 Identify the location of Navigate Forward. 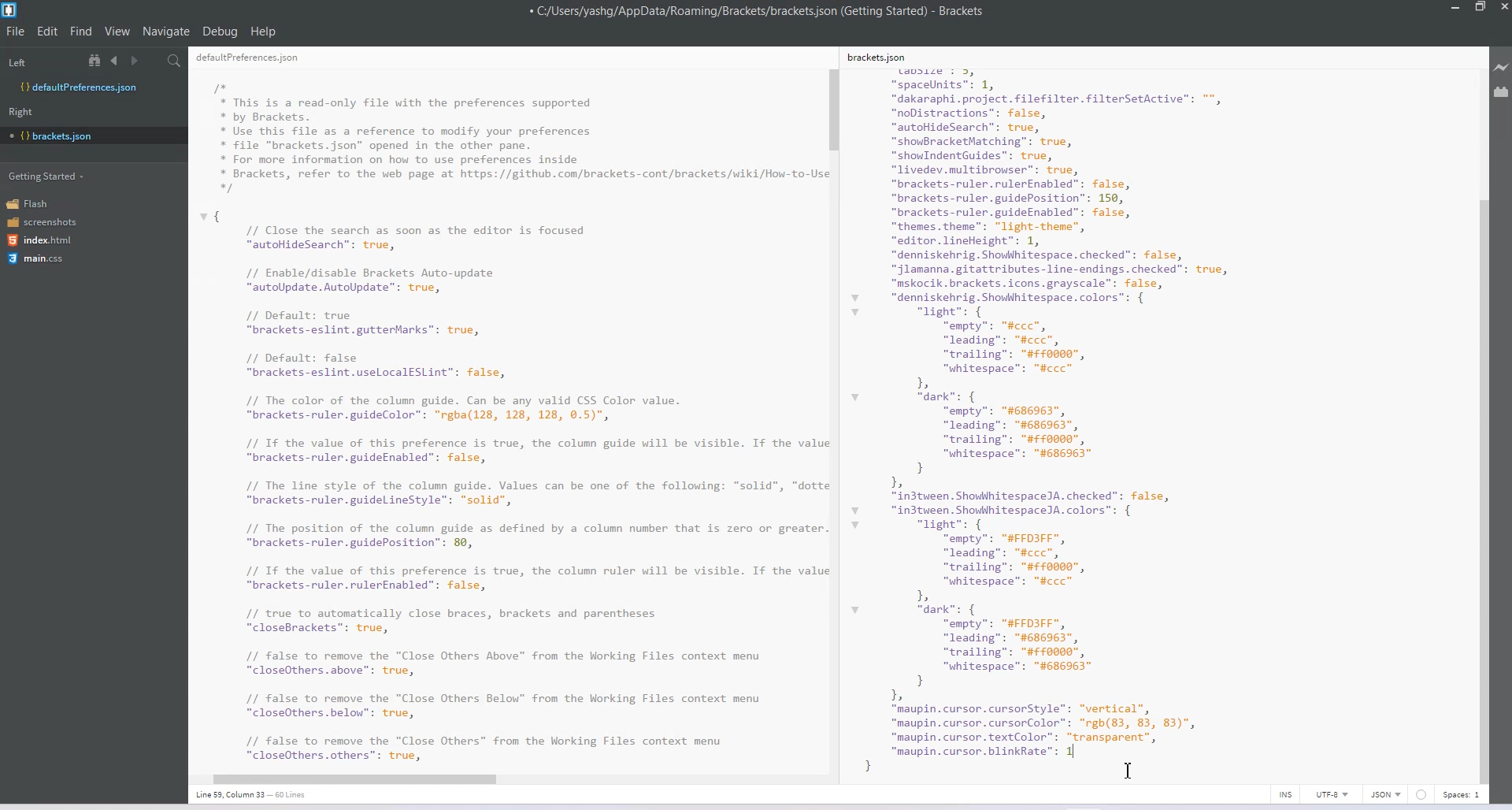
(136, 61).